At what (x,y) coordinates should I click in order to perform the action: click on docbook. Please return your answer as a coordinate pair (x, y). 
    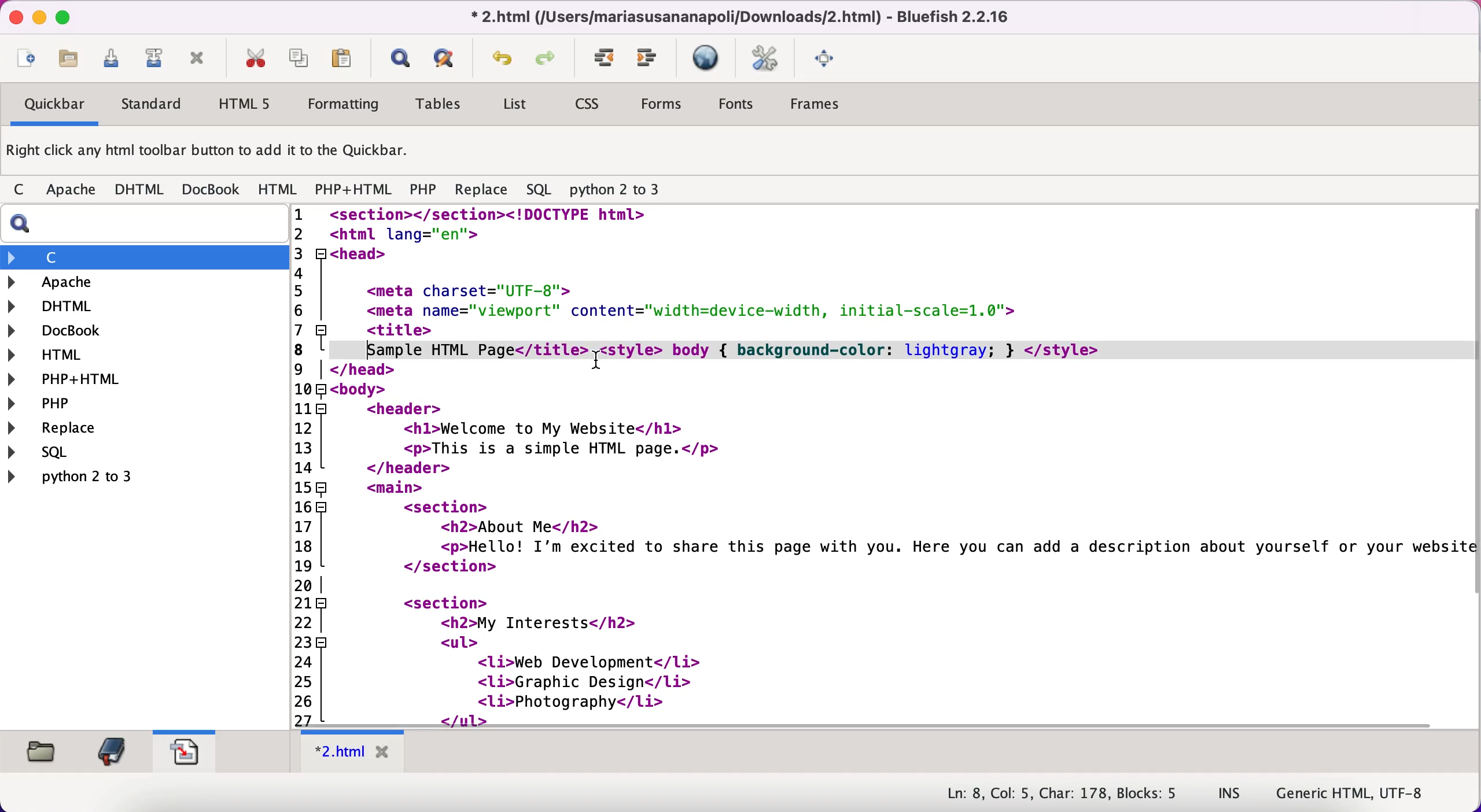
    Looking at the image, I should click on (64, 332).